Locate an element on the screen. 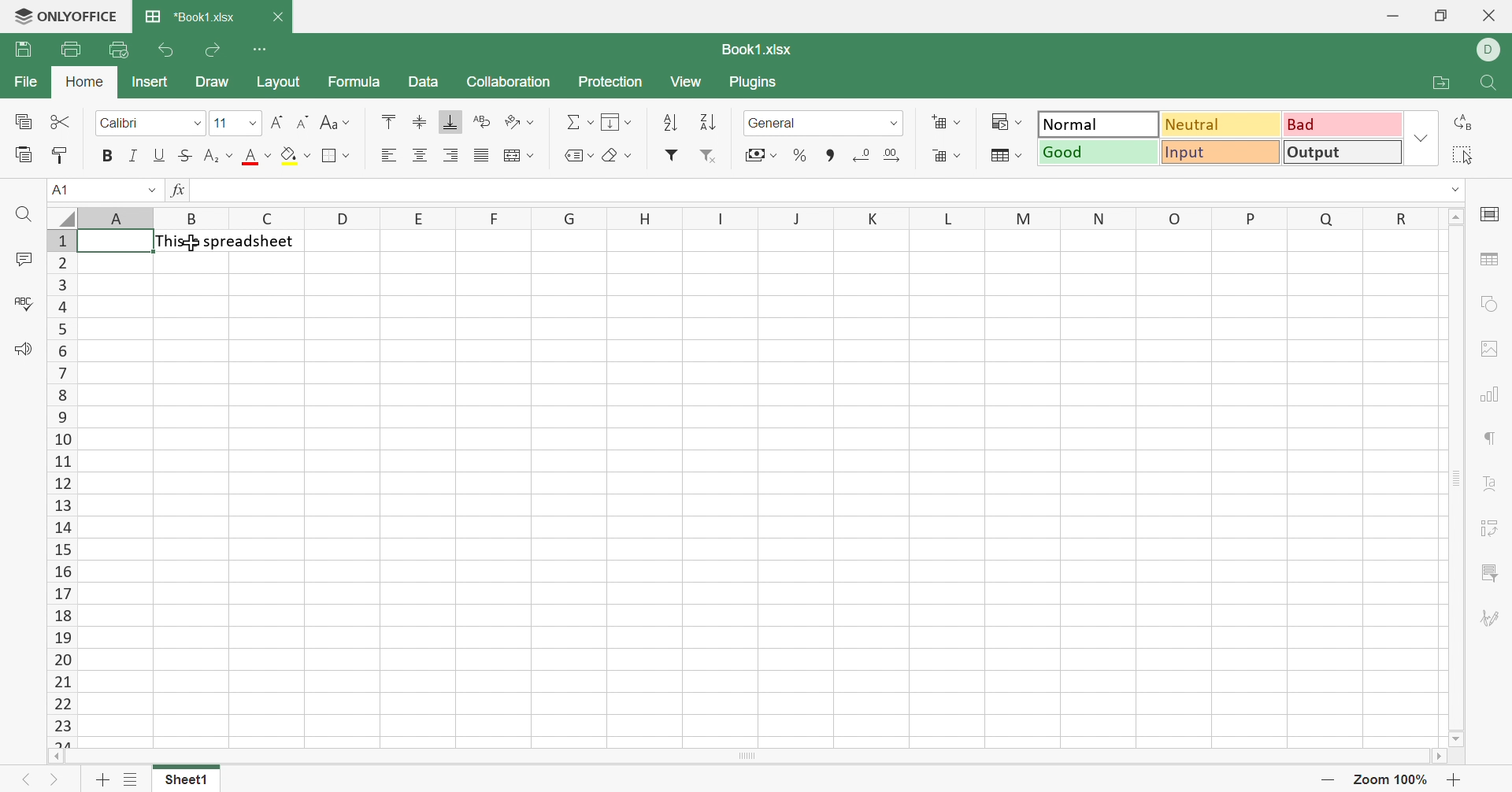 Image resolution: width=1512 pixels, height=792 pixels. A1 is located at coordinates (62, 188).